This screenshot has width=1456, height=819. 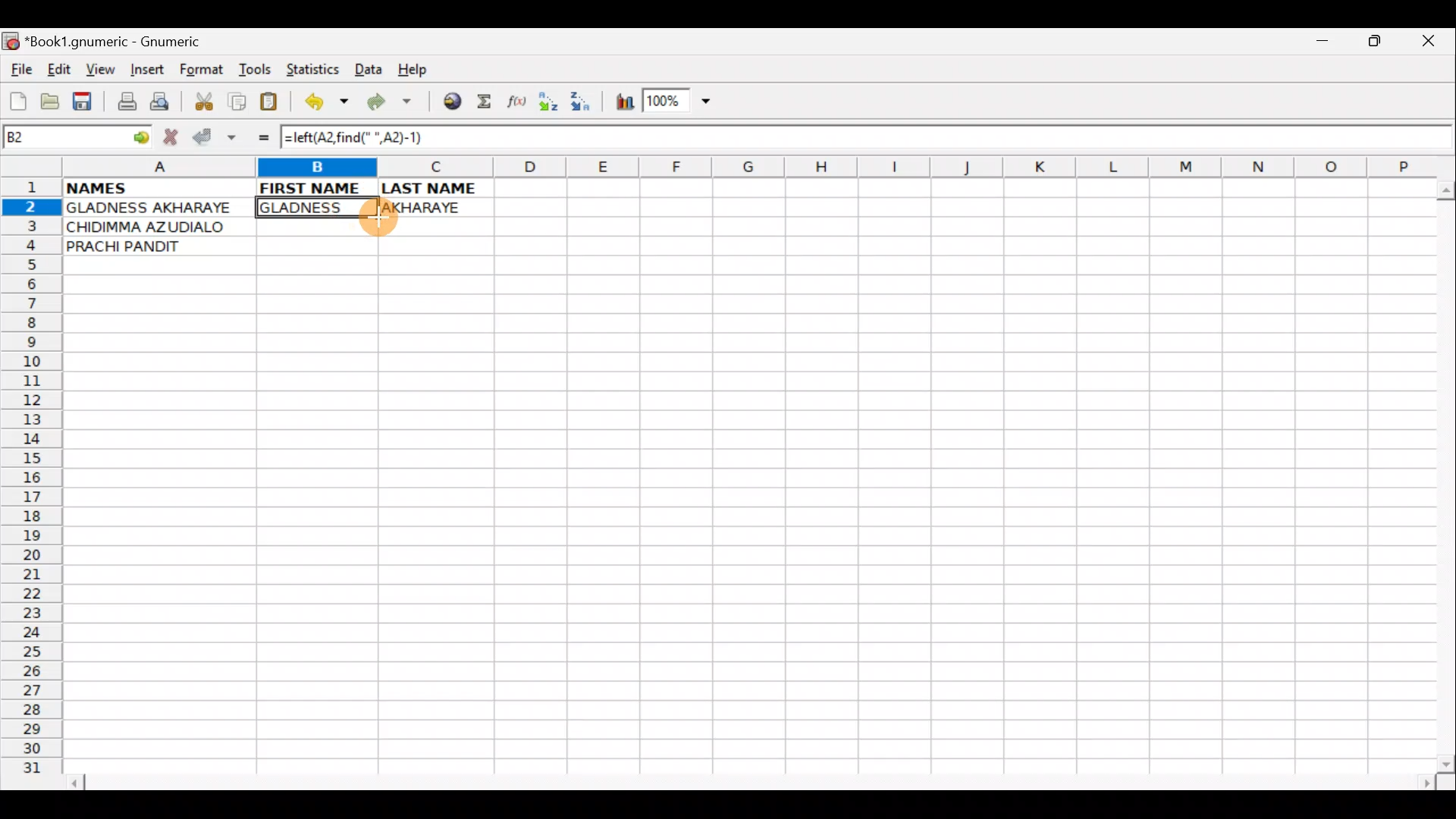 I want to click on *Book1.gnumeric - Gnumeric, so click(x=127, y=42).